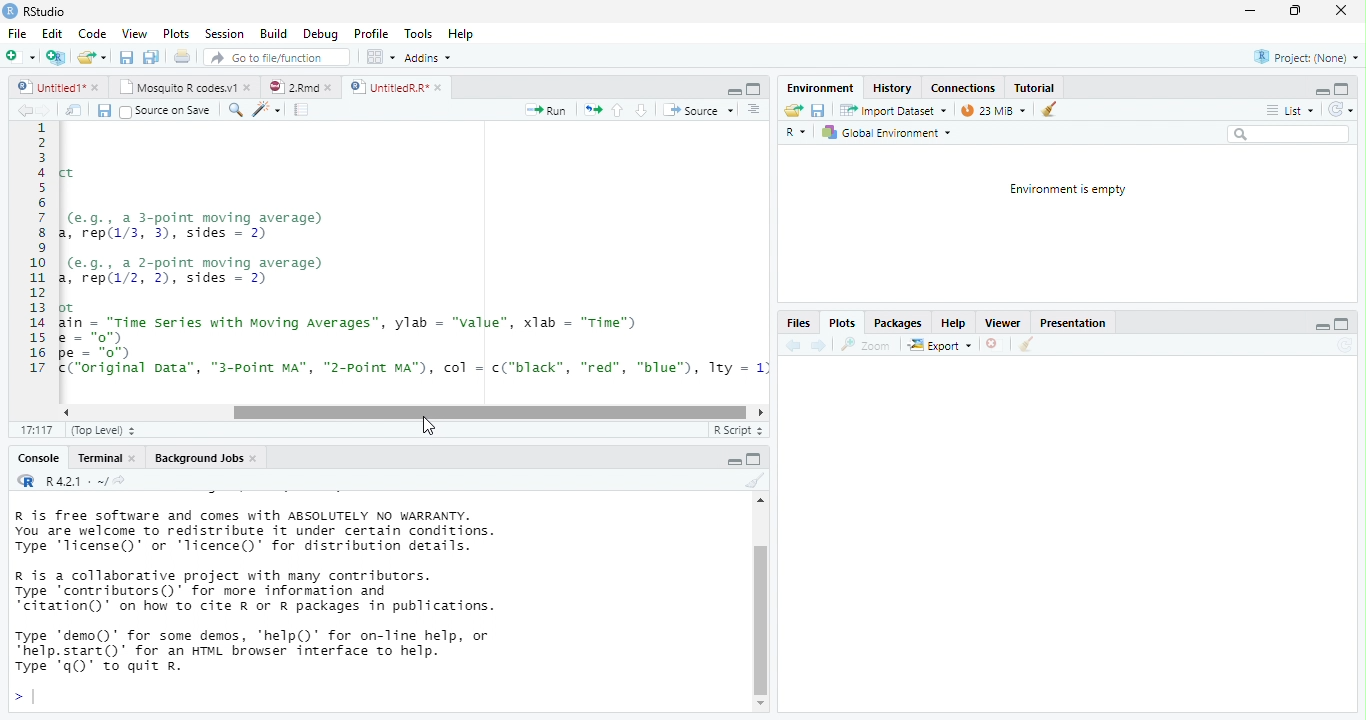 The image size is (1366, 720). I want to click on Tutorial, so click(1035, 87).